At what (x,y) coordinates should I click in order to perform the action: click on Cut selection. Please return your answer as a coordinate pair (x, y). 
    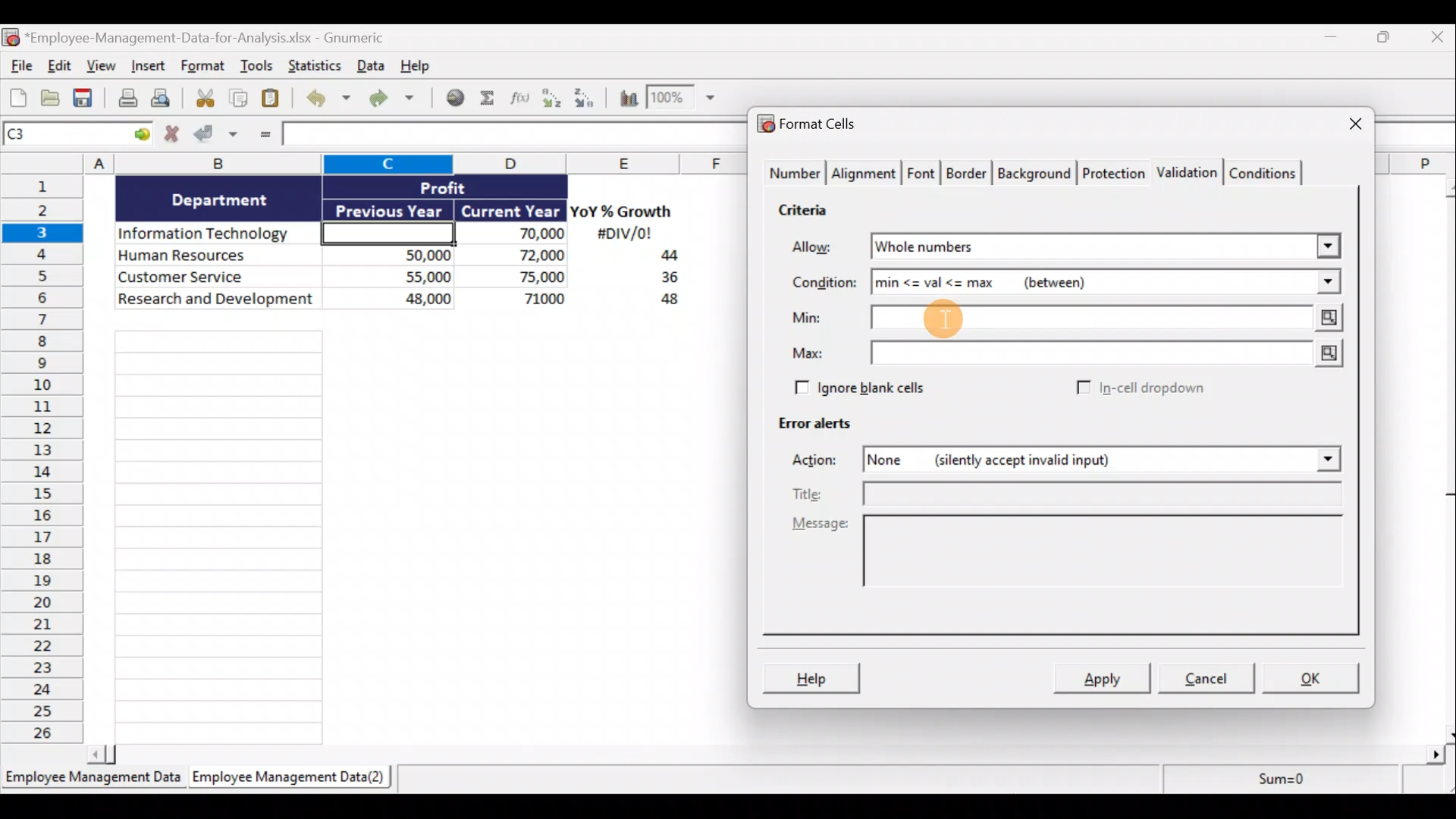
    Looking at the image, I should click on (204, 99).